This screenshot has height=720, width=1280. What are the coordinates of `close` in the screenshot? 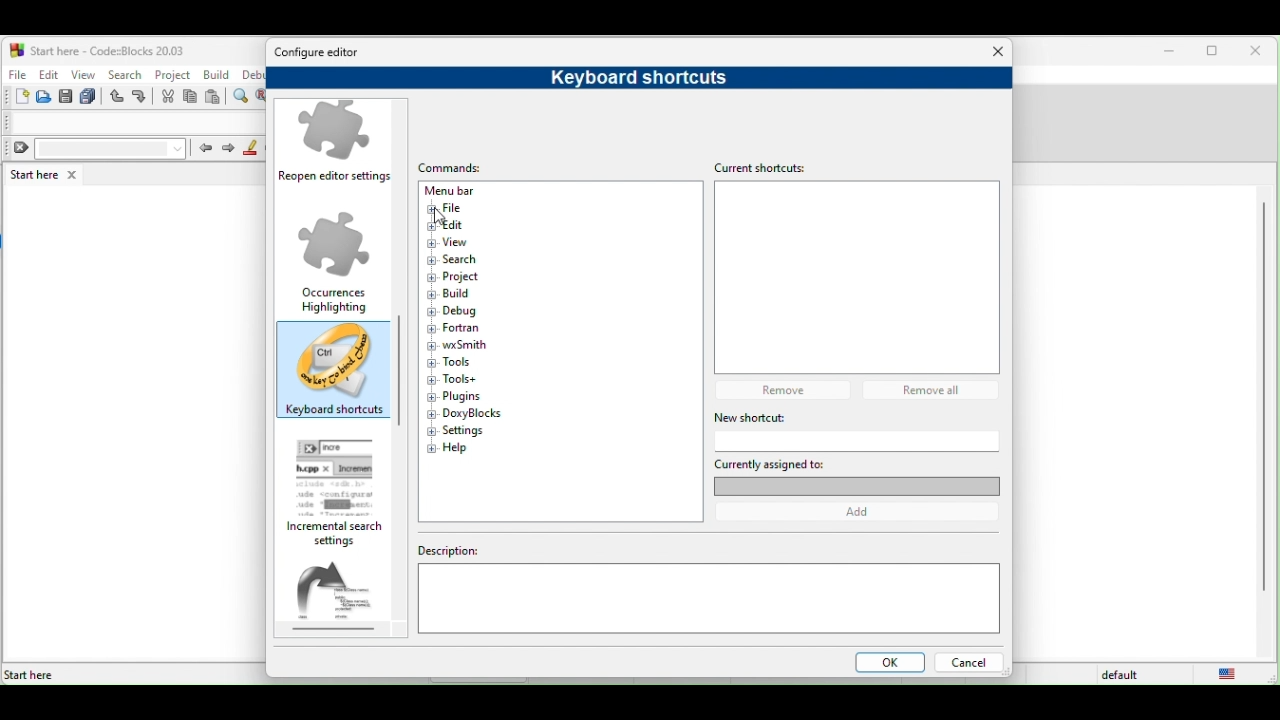 It's located at (1260, 52).